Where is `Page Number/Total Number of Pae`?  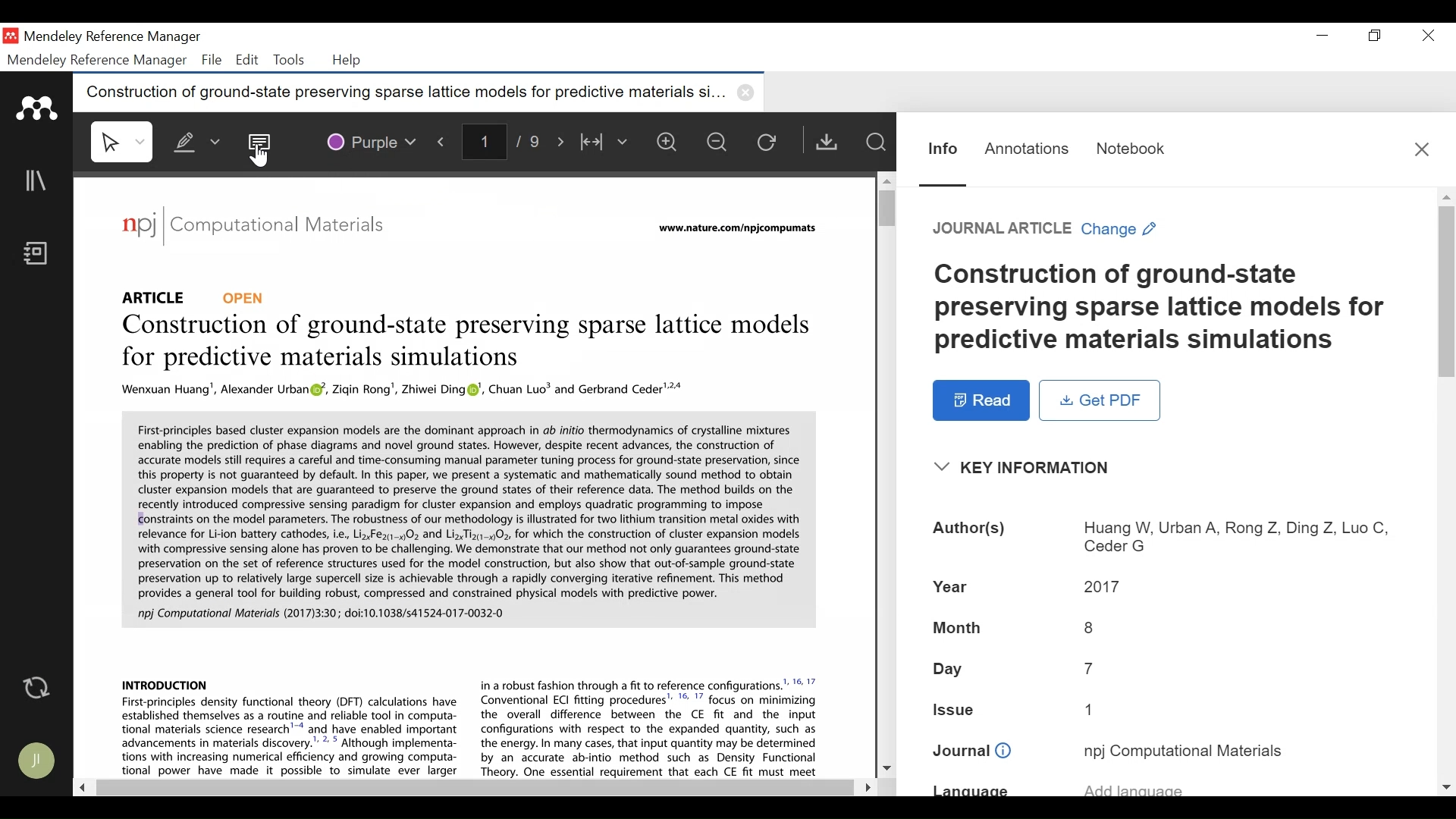
Page Number/Total Number of Pae is located at coordinates (504, 143).